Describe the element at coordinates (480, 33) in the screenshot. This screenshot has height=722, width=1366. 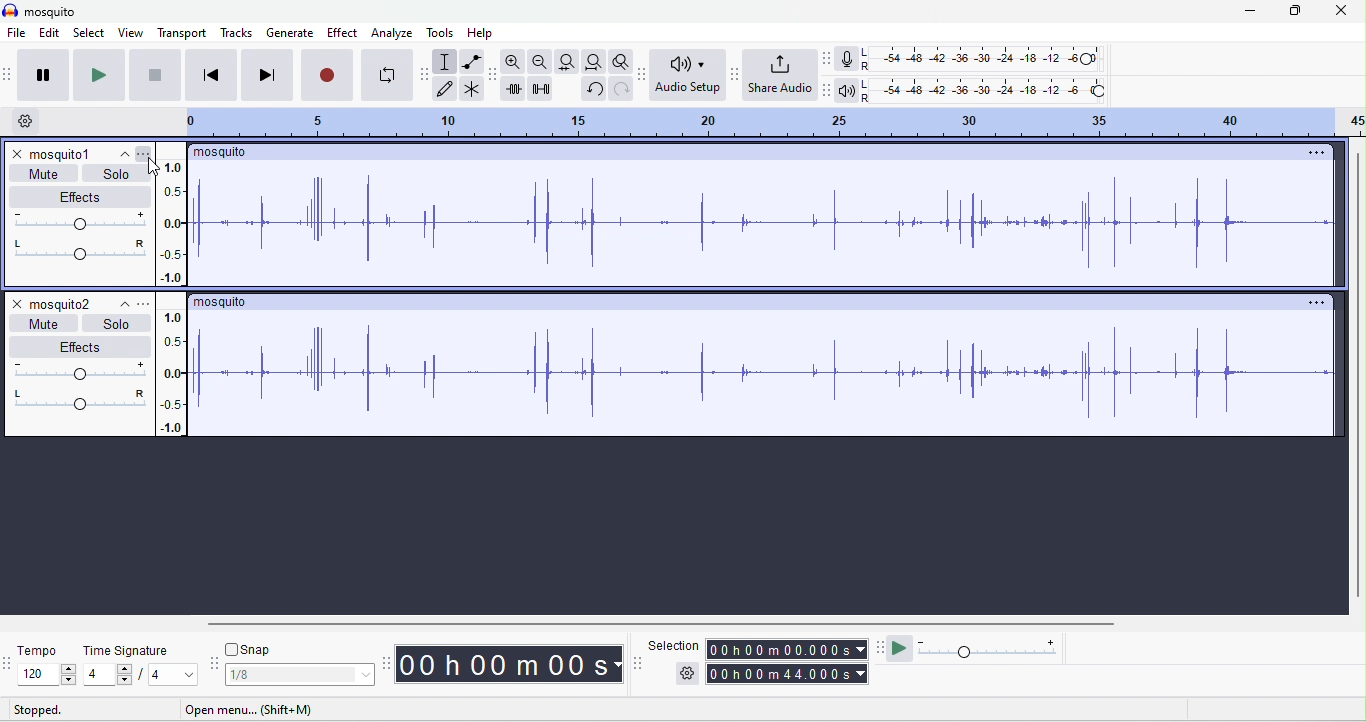
I see `help` at that location.